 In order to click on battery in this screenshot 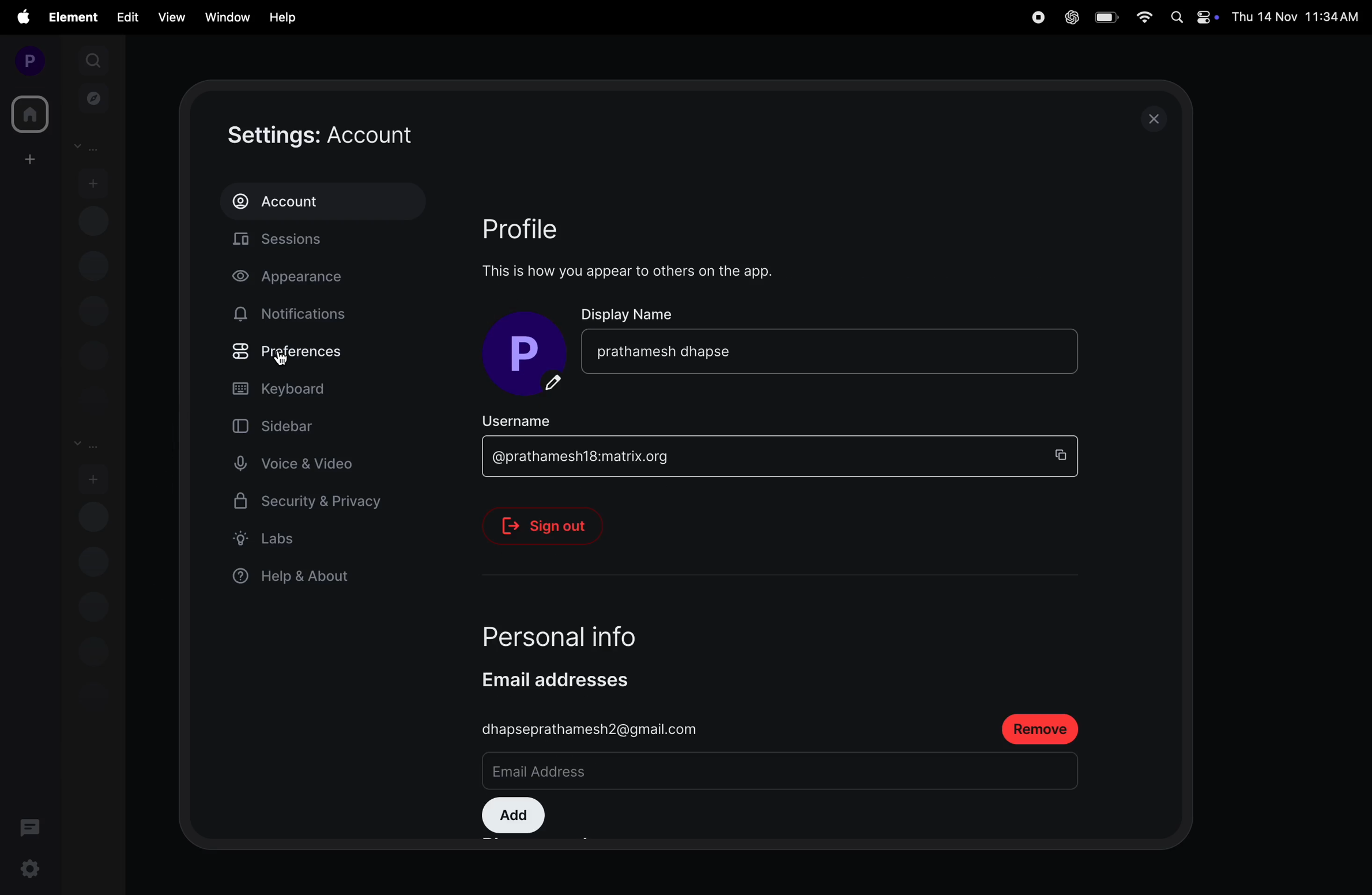, I will do `click(1105, 17)`.